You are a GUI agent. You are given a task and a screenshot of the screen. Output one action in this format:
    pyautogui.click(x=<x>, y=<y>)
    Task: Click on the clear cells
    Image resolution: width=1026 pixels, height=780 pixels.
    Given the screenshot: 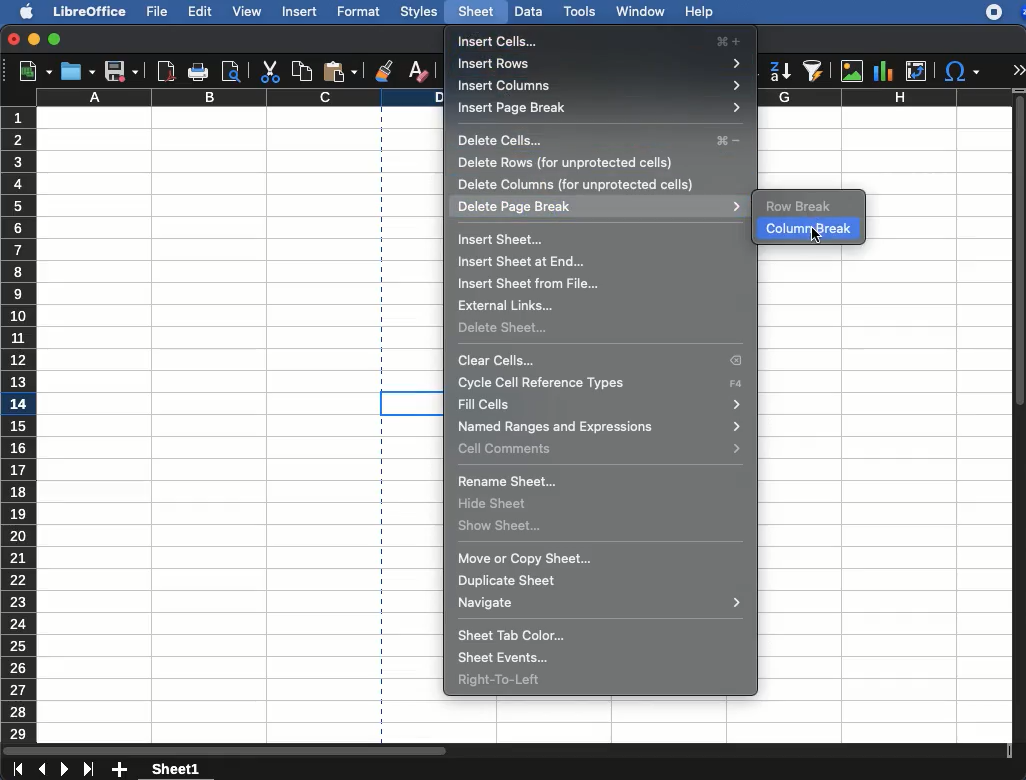 What is the action you would take?
    pyautogui.click(x=600, y=362)
    